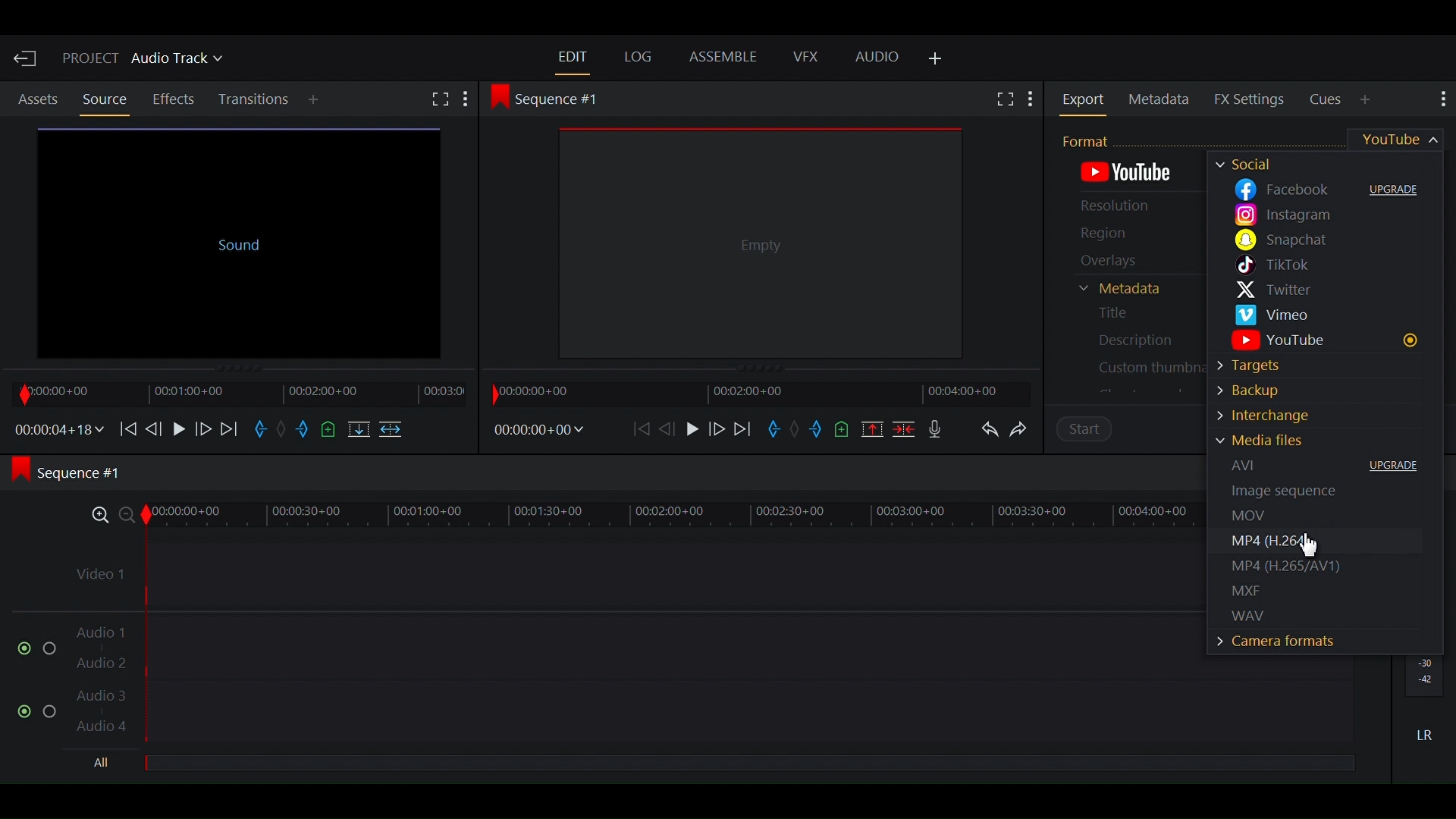 Image resolution: width=1456 pixels, height=819 pixels. I want to click on Insert into the target sequence, so click(392, 431).